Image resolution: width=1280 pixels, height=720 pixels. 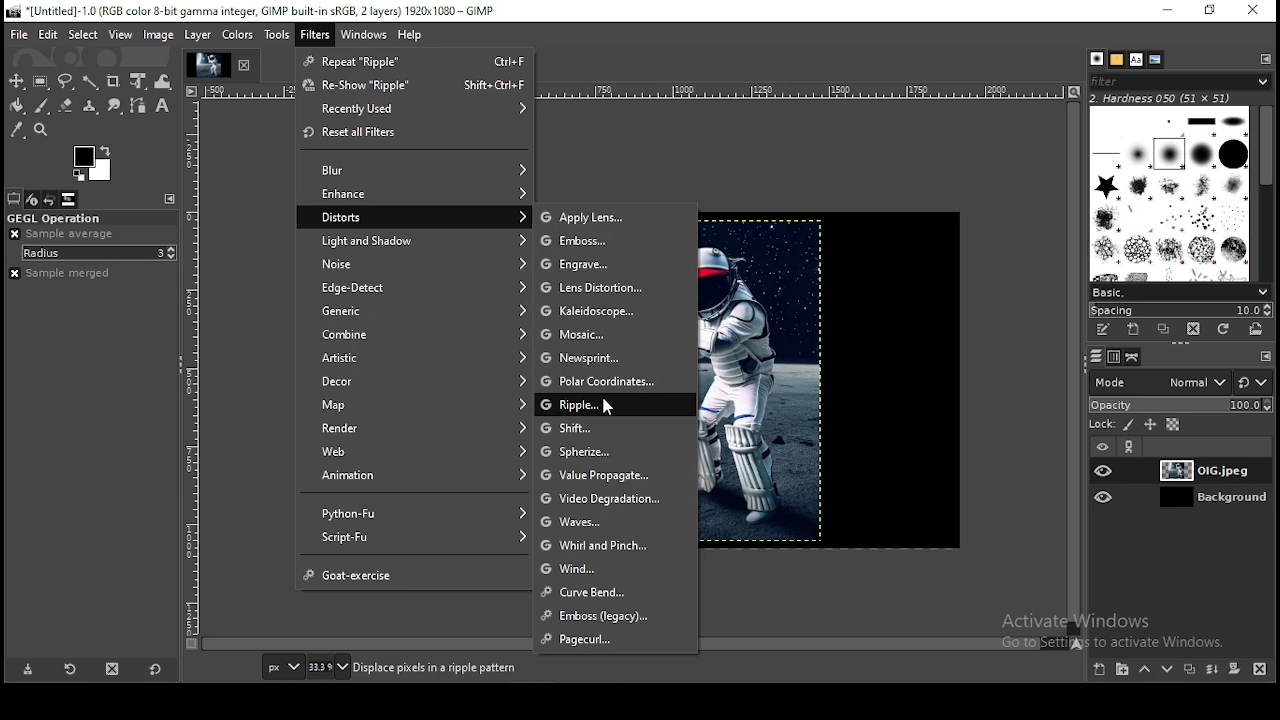 What do you see at coordinates (14, 199) in the screenshot?
I see `tool option` at bounding box center [14, 199].